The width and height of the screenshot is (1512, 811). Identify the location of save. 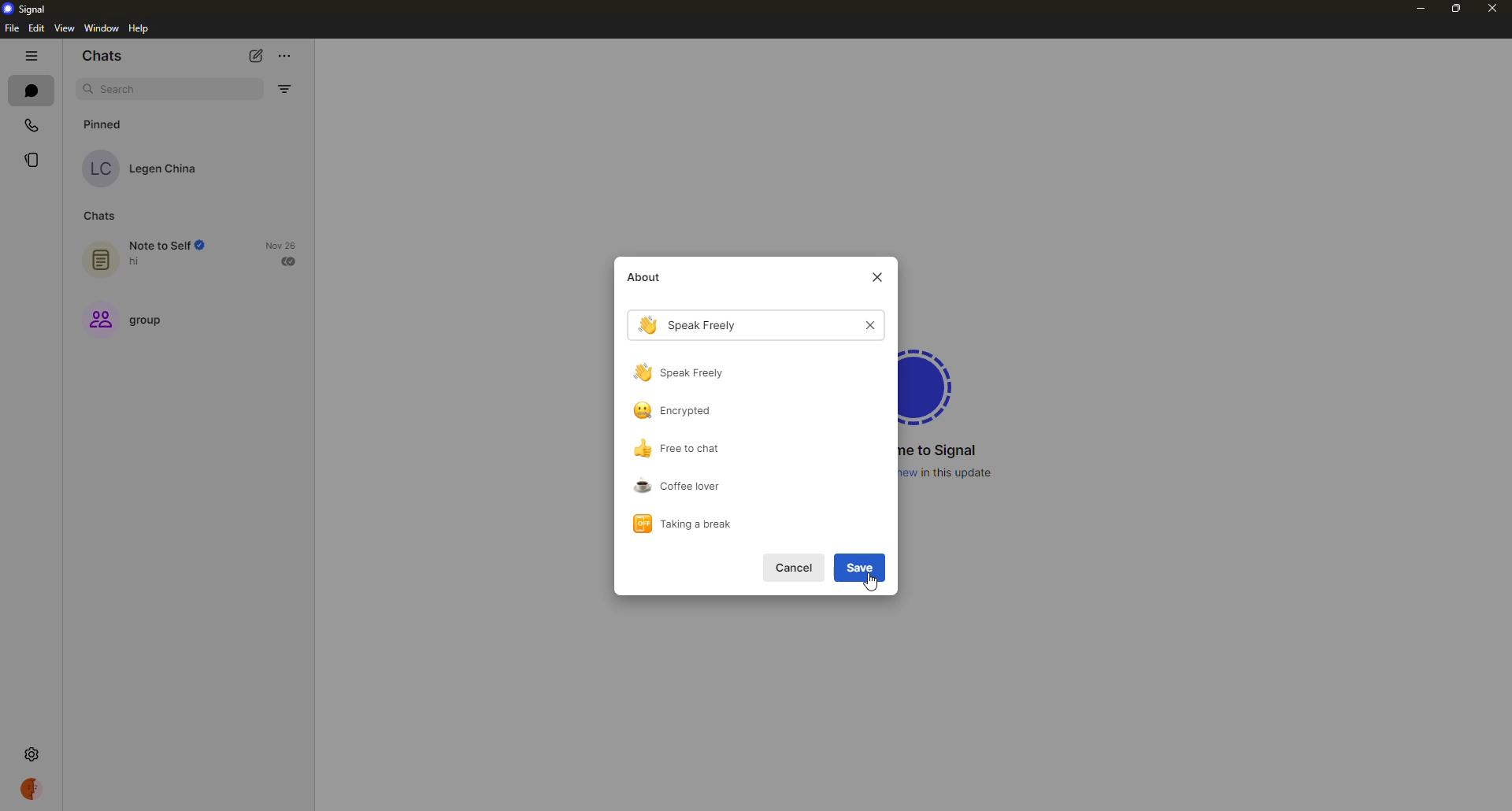
(861, 567).